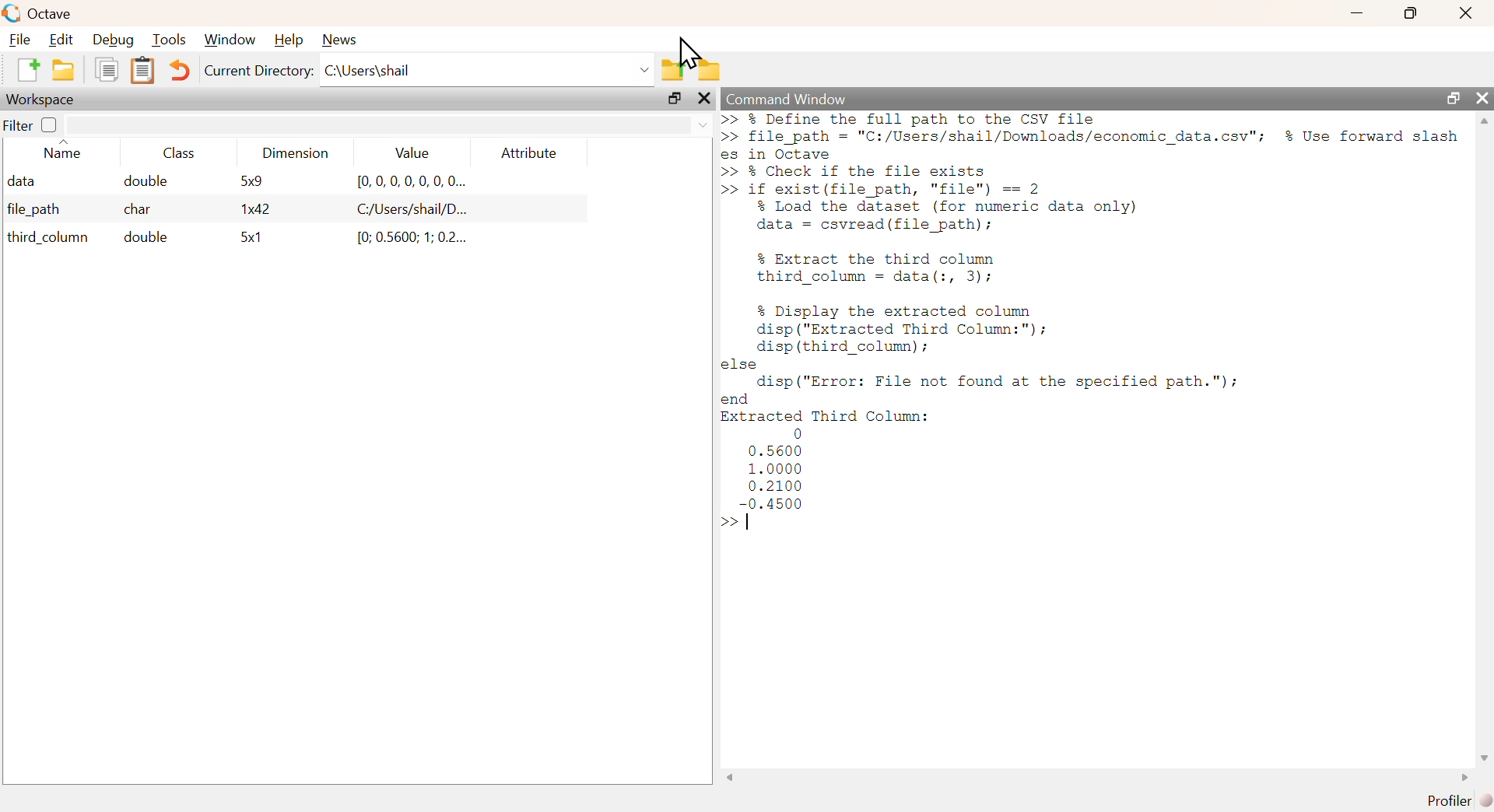 The image size is (1494, 812). Describe the element at coordinates (19, 39) in the screenshot. I see `file` at that location.